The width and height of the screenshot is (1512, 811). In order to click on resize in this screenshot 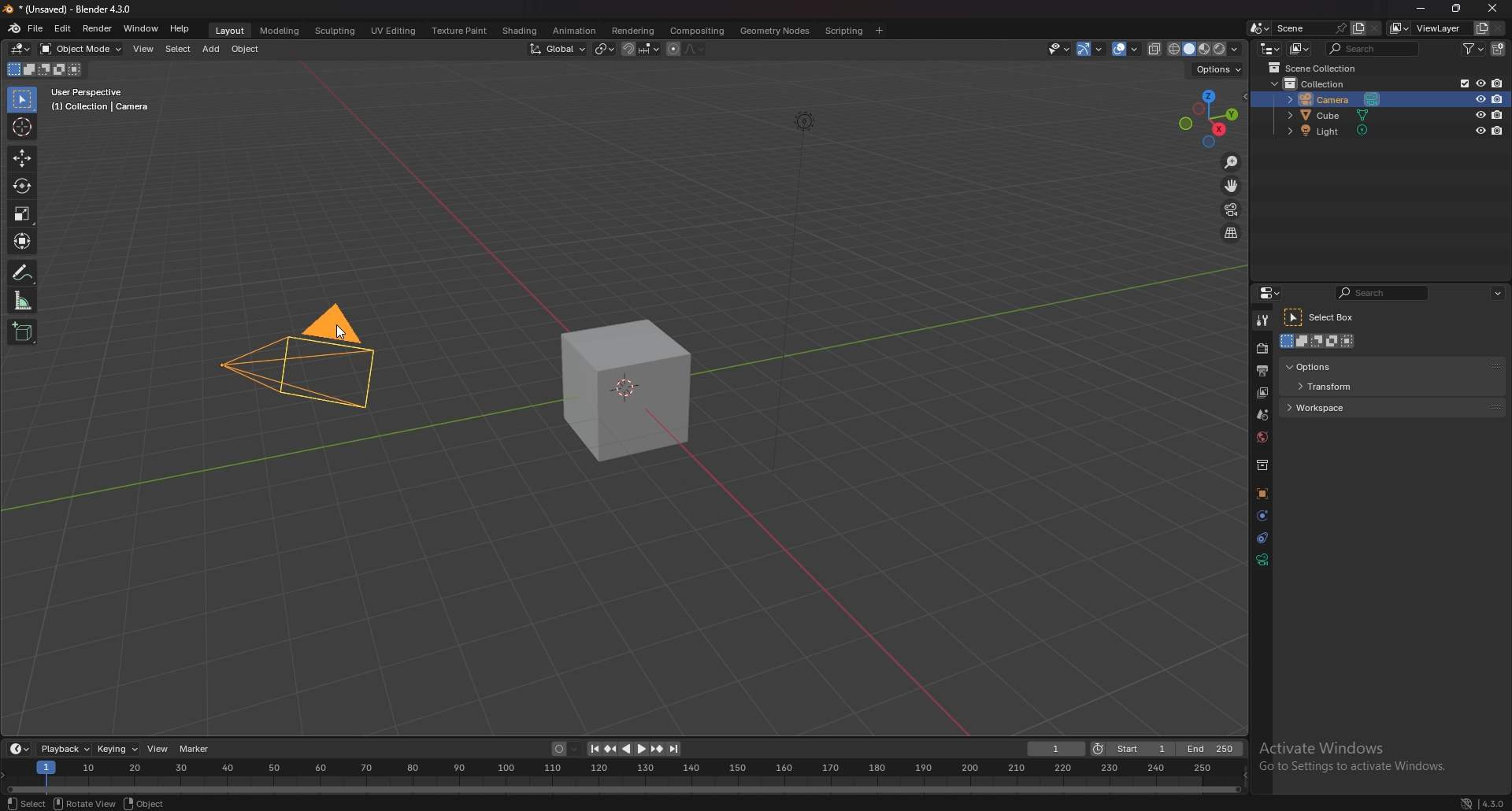, I will do `click(1460, 10)`.